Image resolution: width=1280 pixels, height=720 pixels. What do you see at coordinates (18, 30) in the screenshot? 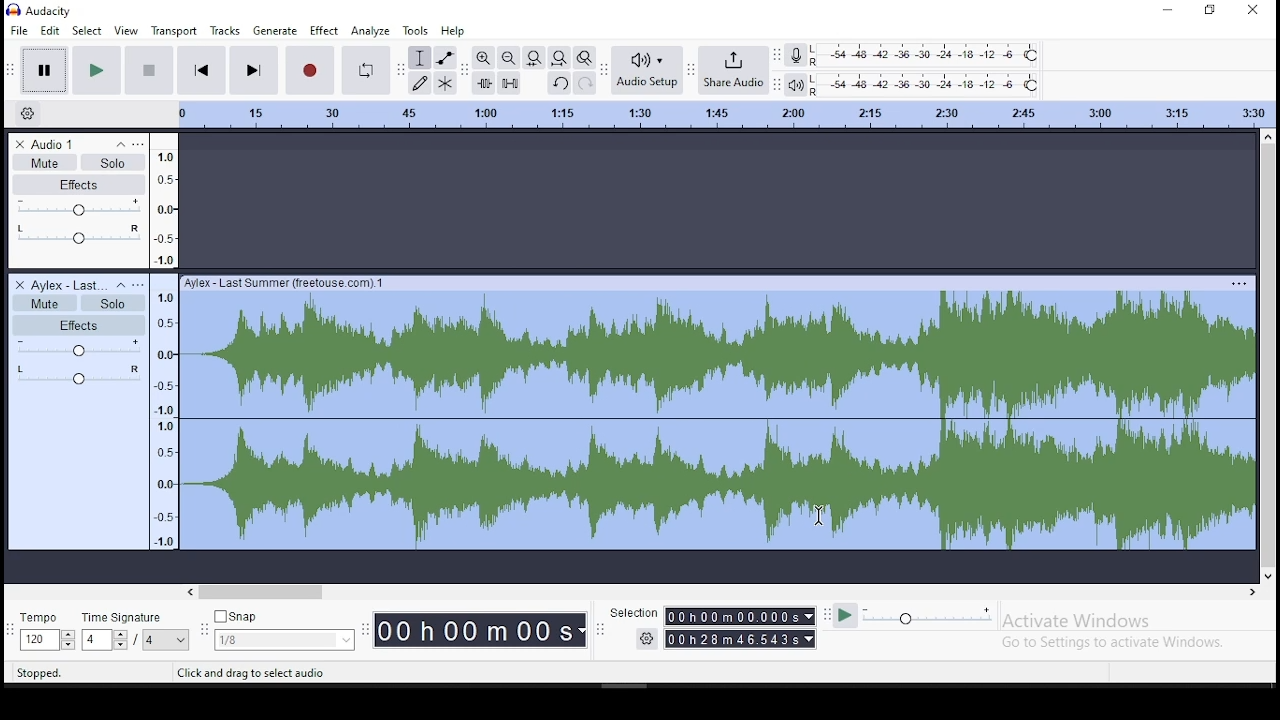
I see `file` at bounding box center [18, 30].